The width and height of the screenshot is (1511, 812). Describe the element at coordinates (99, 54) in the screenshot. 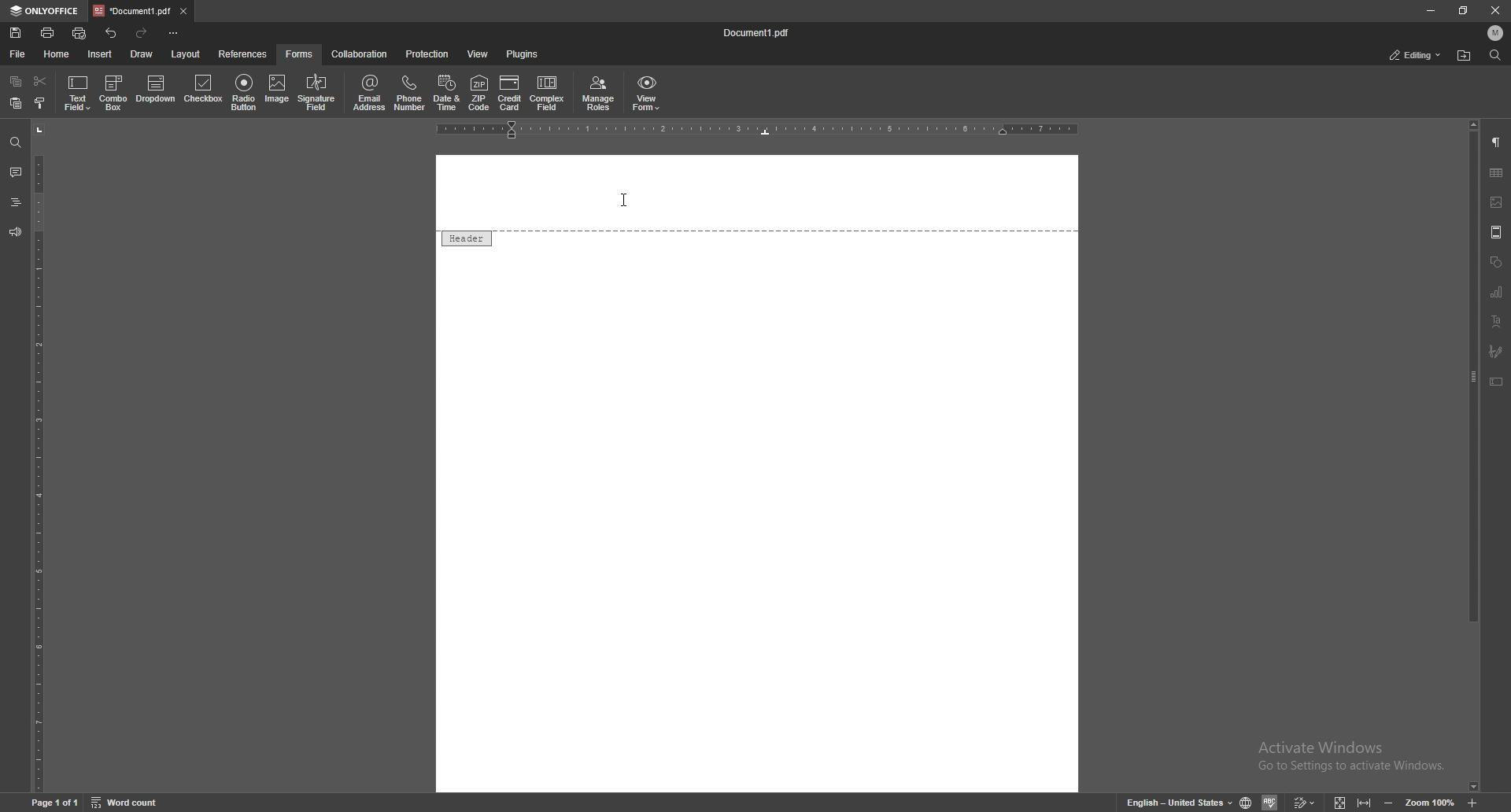

I see `insert` at that location.